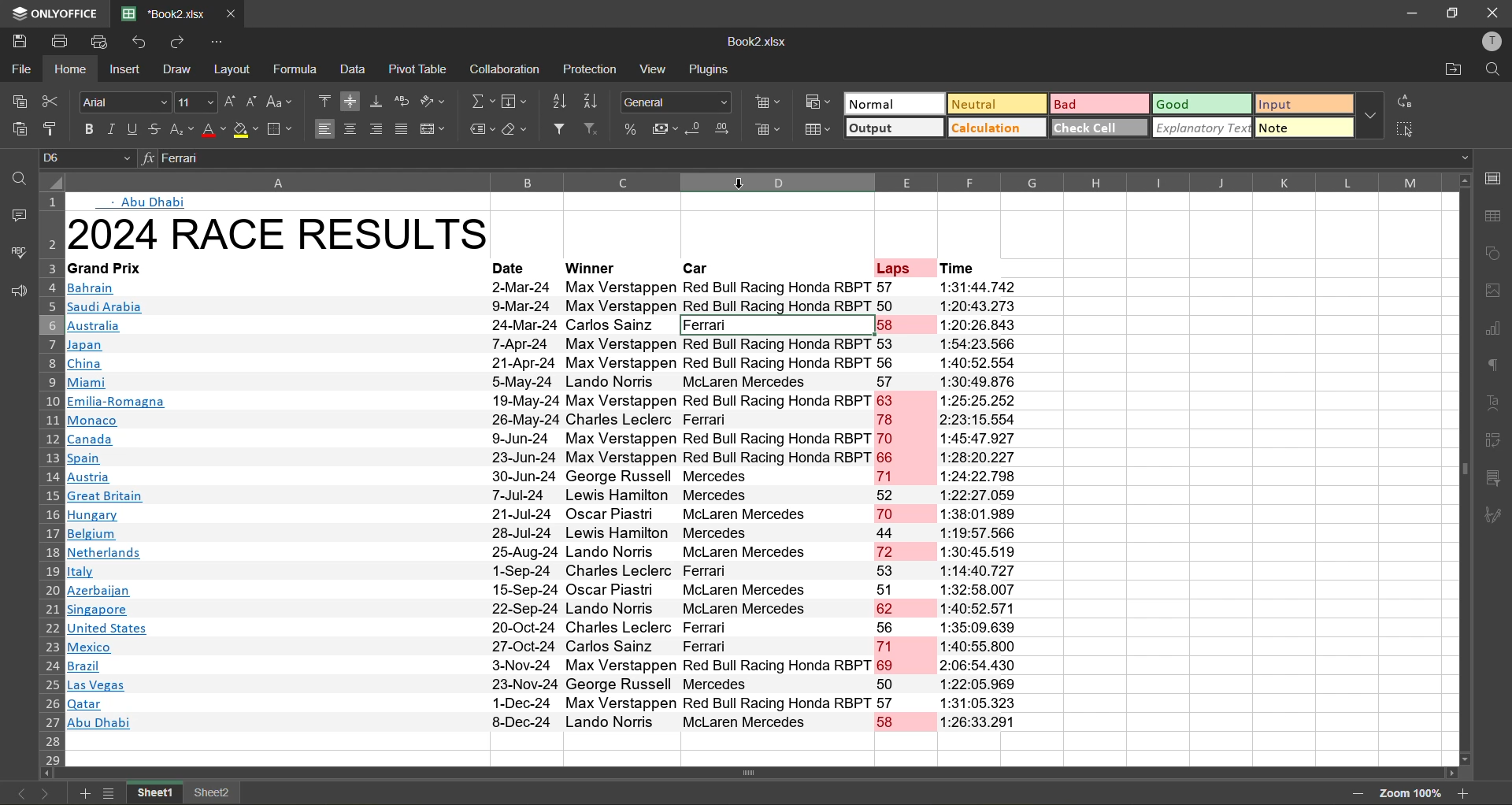  Describe the element at coordinates (350, 102) in the screenshot. I see `align middle` at that location.